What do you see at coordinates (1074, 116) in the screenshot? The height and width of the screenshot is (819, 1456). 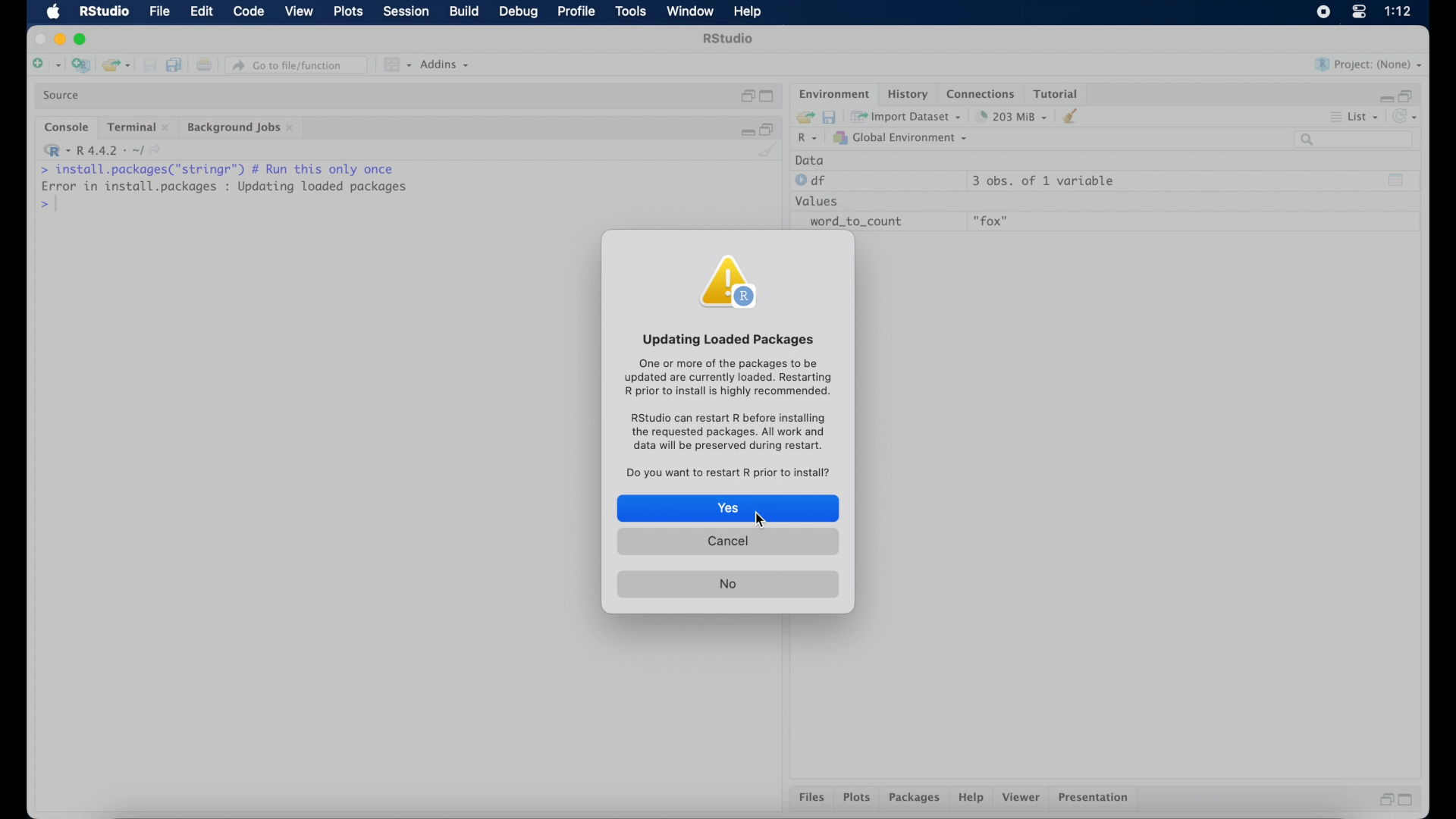 I see `clear console` at bounding box center [1074, 116].